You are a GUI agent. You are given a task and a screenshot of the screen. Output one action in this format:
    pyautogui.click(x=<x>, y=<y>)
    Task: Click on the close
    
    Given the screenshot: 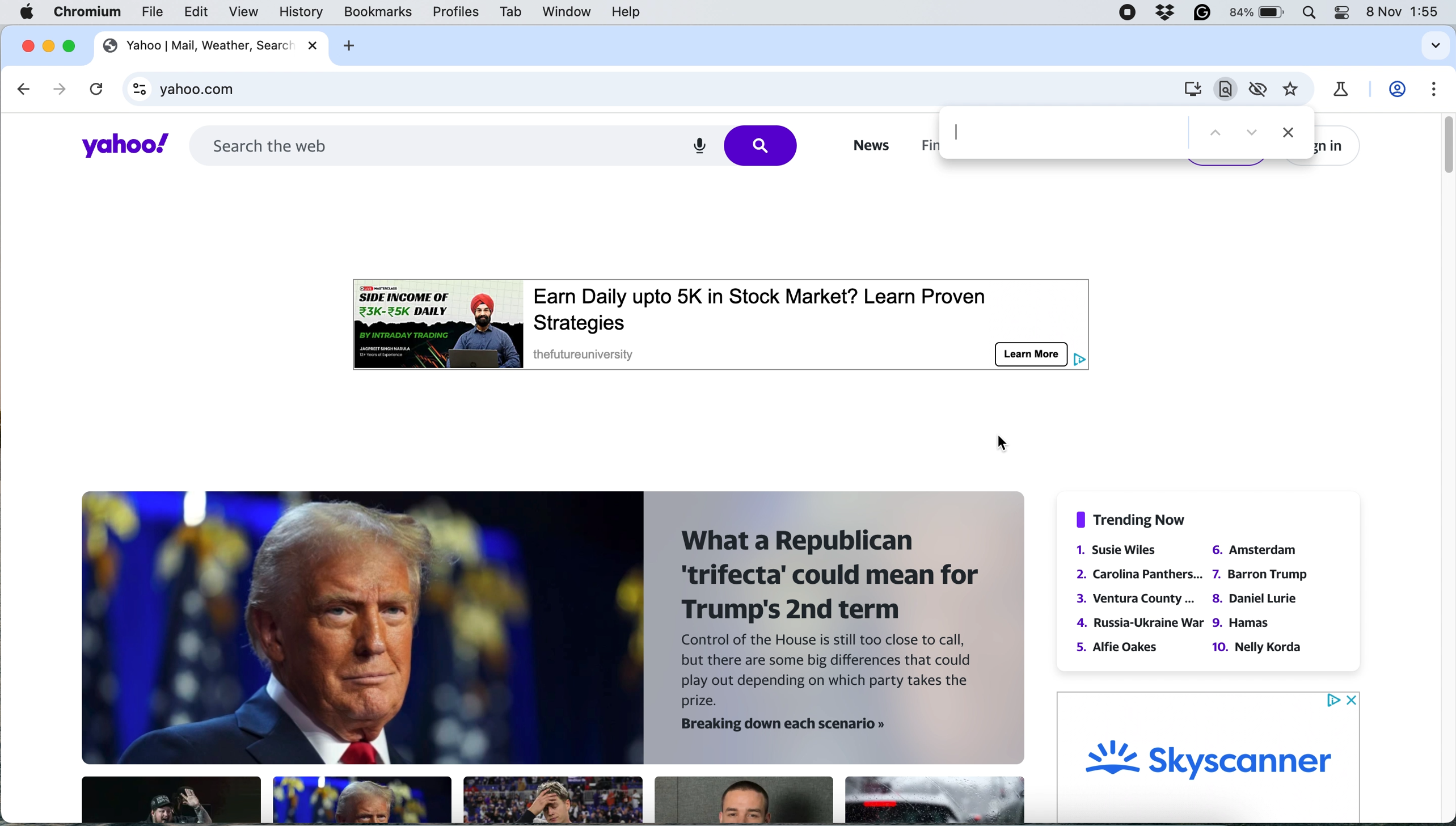 What is the action you would take?
    pyautogui.click(x=315, y=45)
    